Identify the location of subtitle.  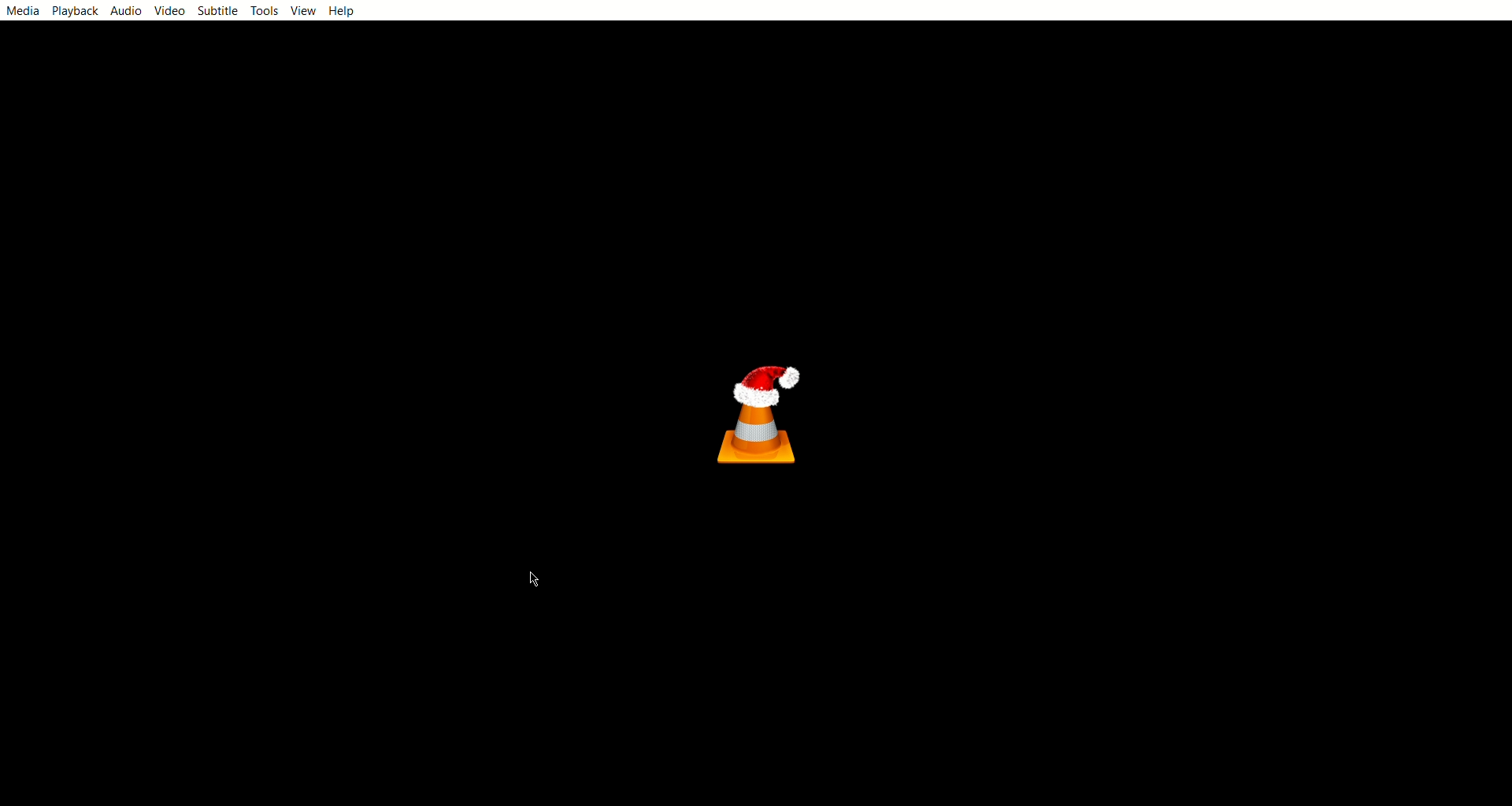
(217, 10).